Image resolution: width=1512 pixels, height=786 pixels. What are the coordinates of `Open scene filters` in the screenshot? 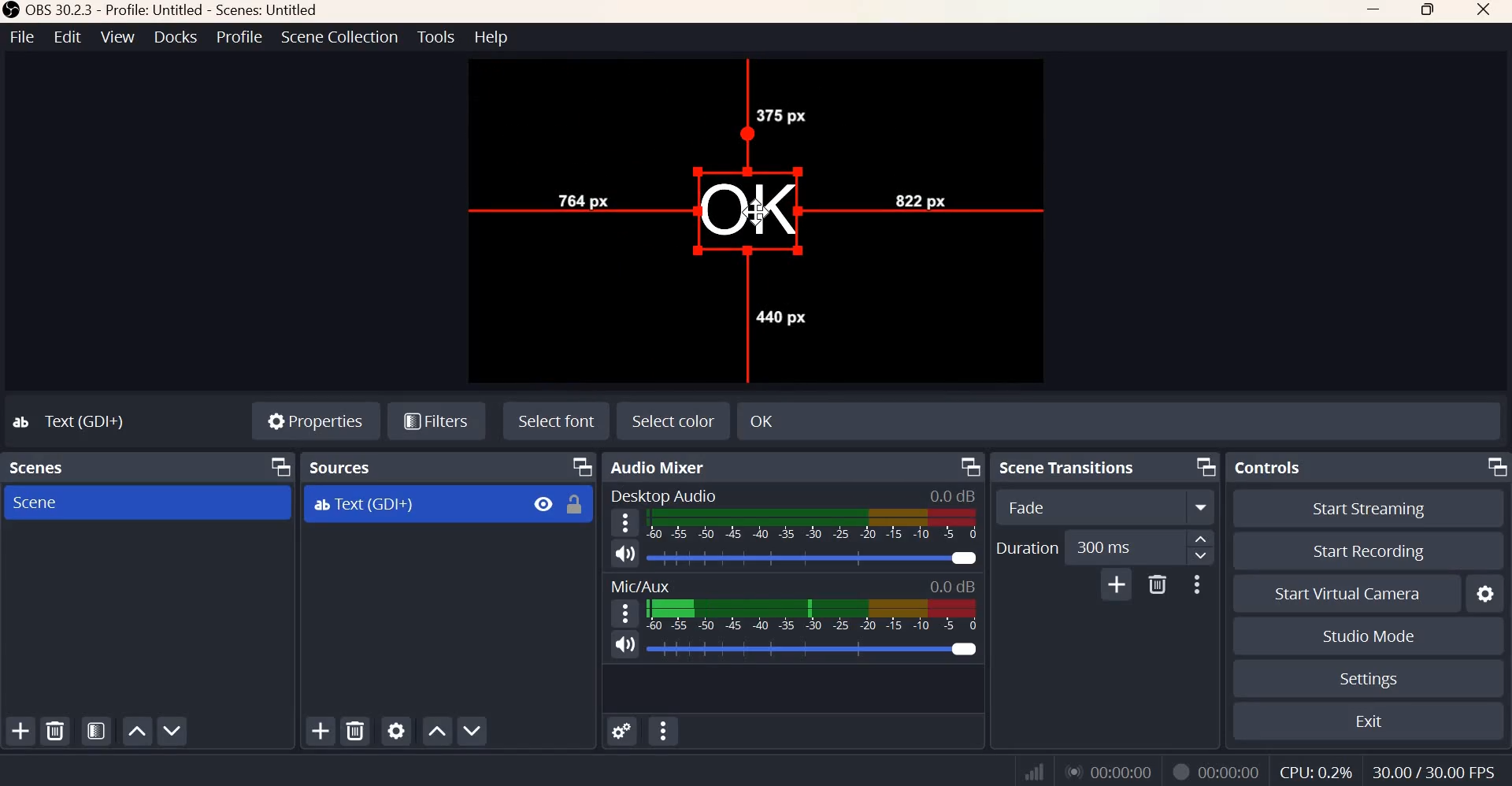 It's located at (95, 730).